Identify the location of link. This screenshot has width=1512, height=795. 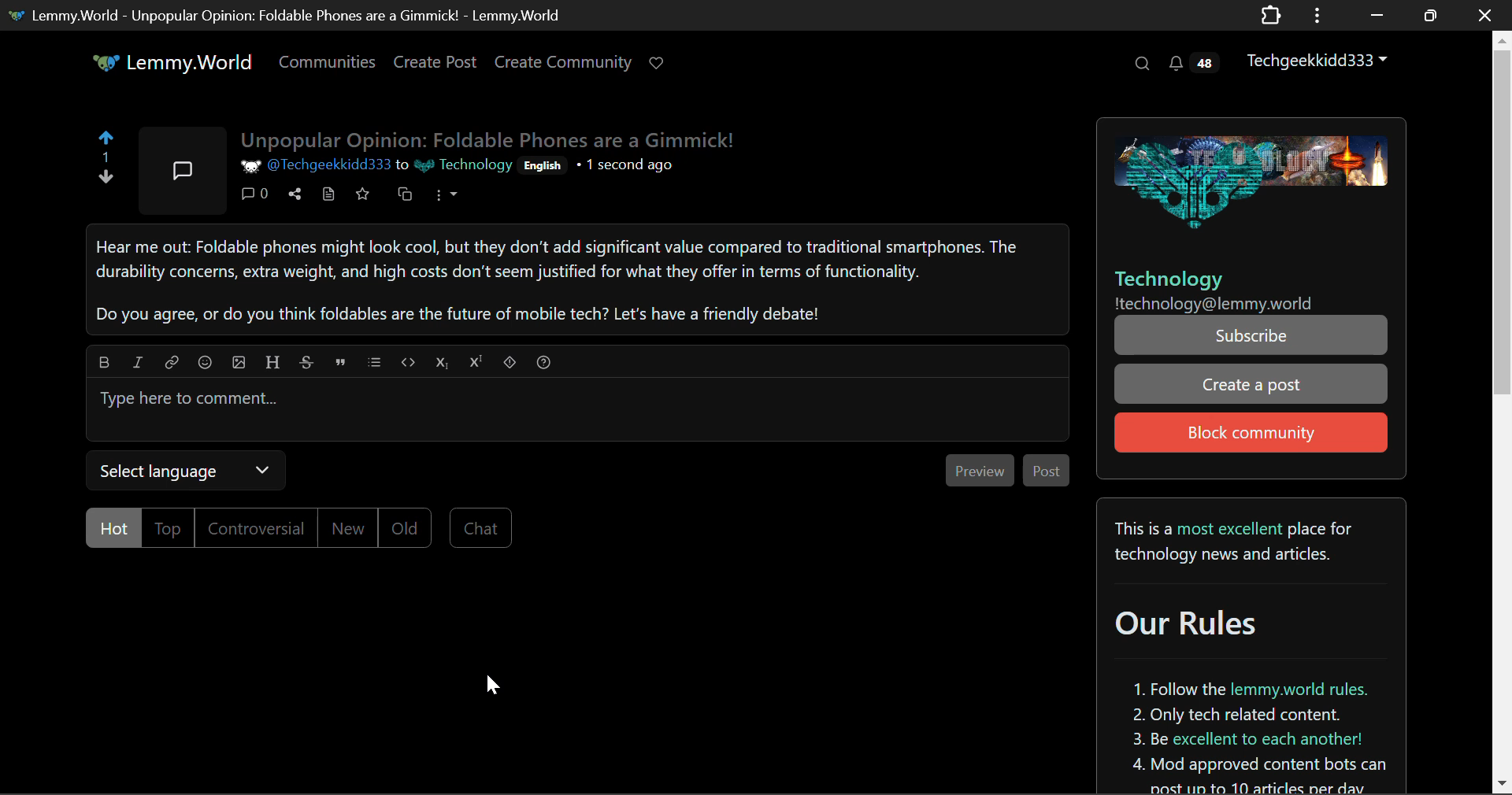
(170, 361).